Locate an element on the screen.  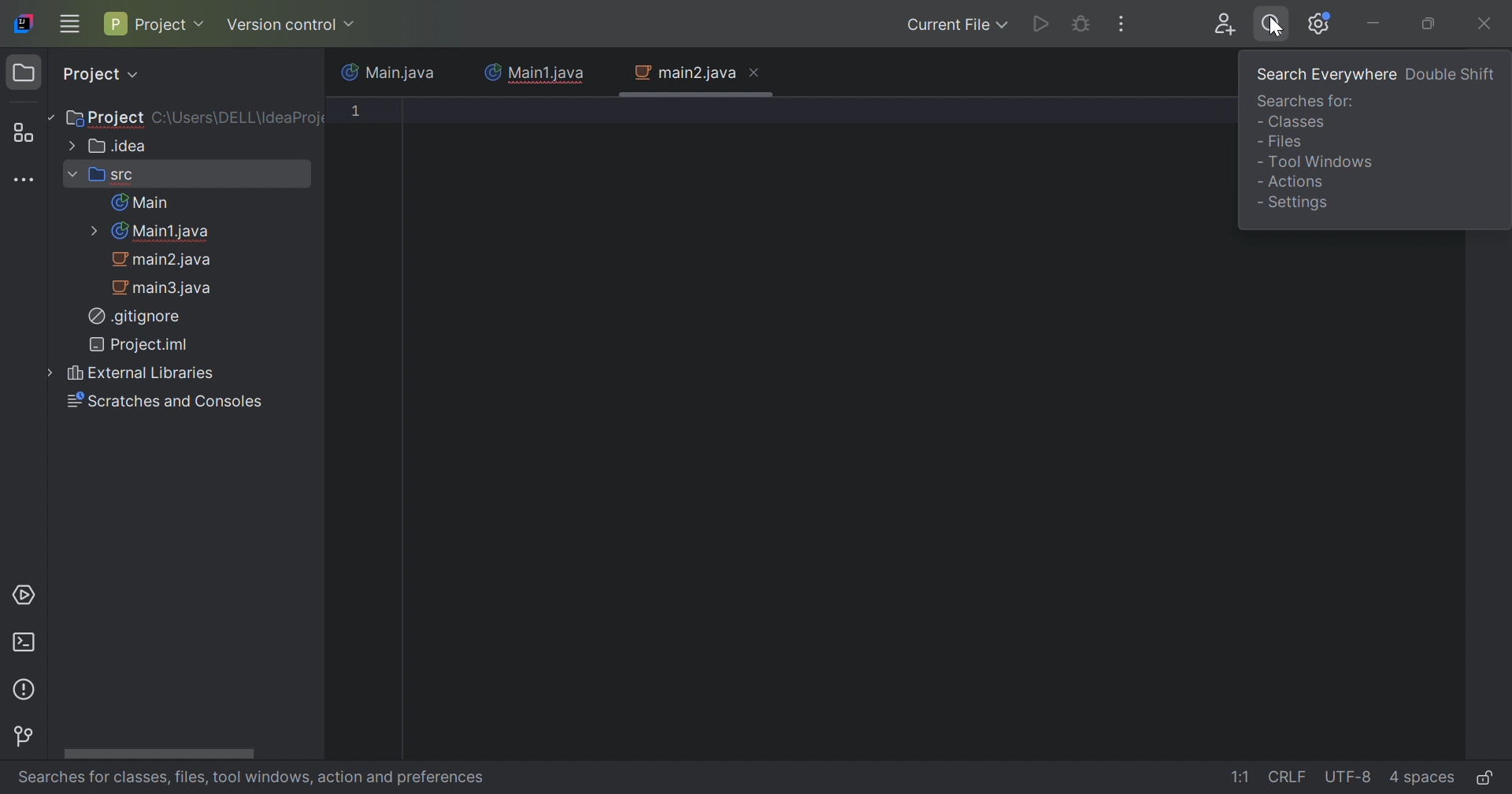
Horizontal Scroll bar is located at coordinates (157, 752).